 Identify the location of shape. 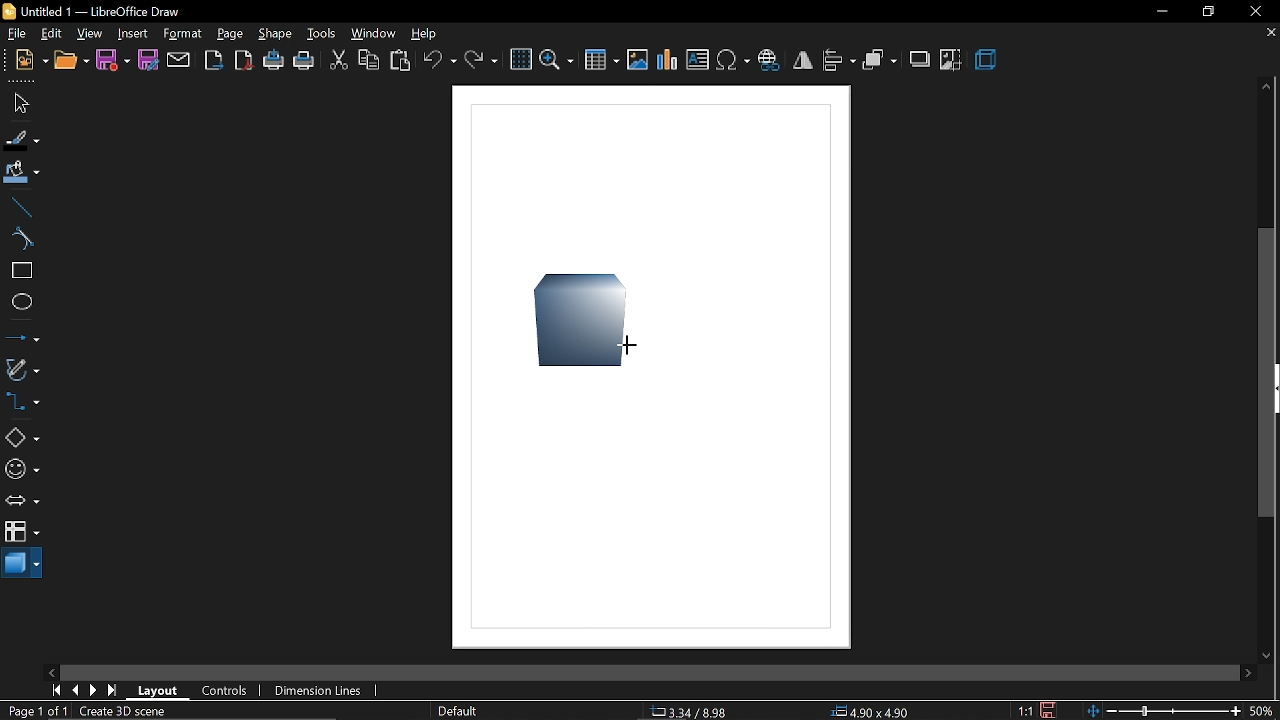
(276, 34).